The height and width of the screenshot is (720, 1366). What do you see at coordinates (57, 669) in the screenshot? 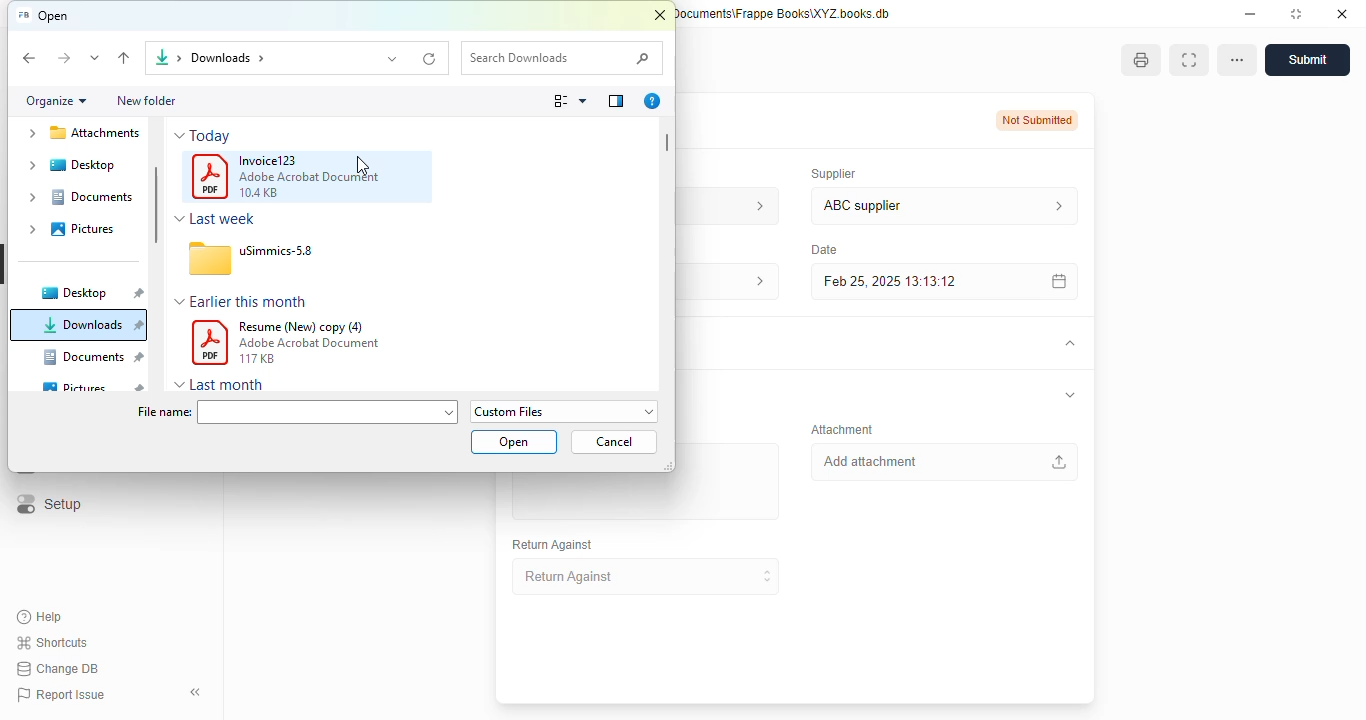
I see `change DB` at bounding box center [57, 669].